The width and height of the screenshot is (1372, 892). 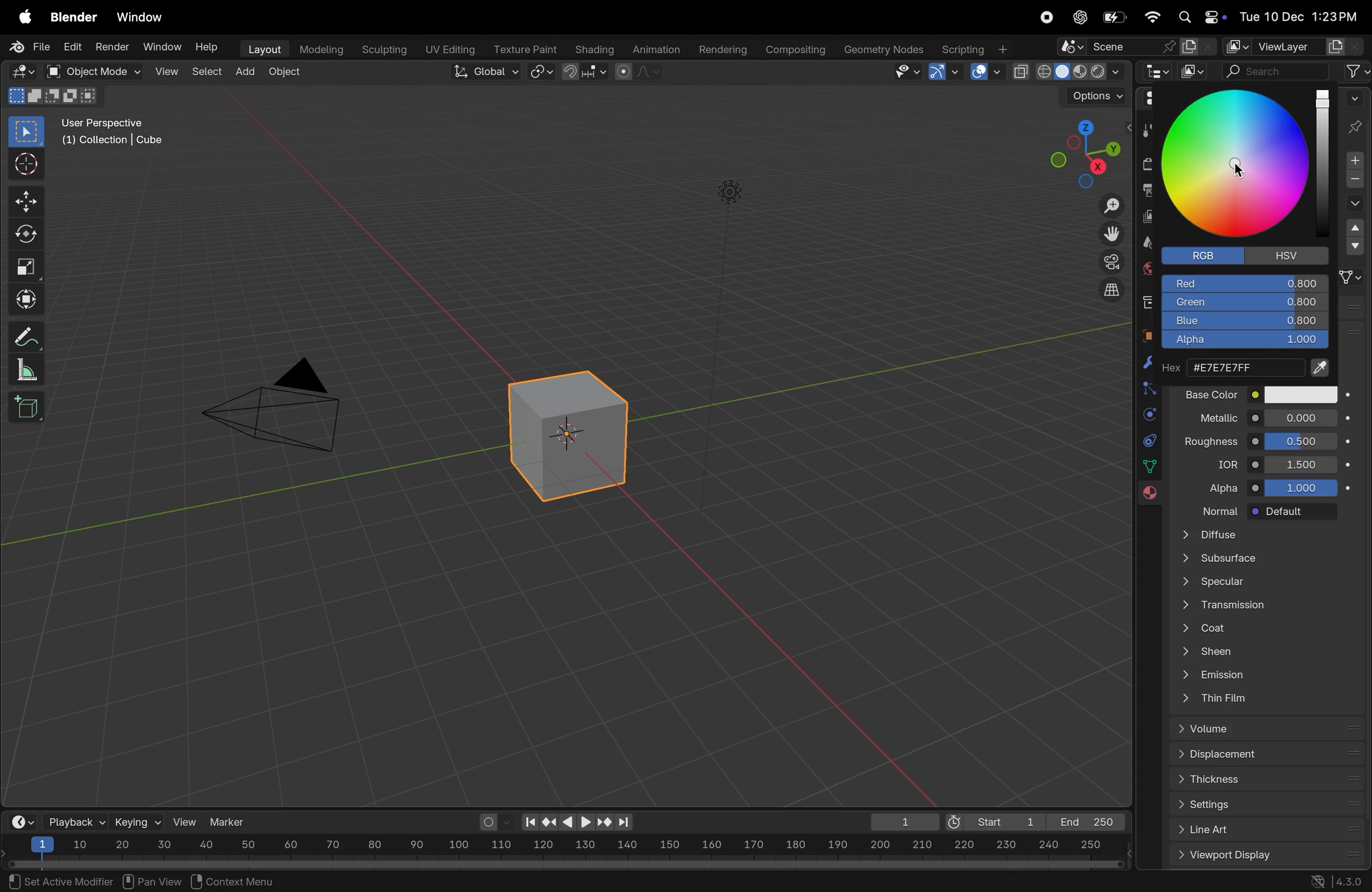 What do you see at coordinates (20, 18) in the screenshot?
I see `apple menu` at bounding box center [20, 18].